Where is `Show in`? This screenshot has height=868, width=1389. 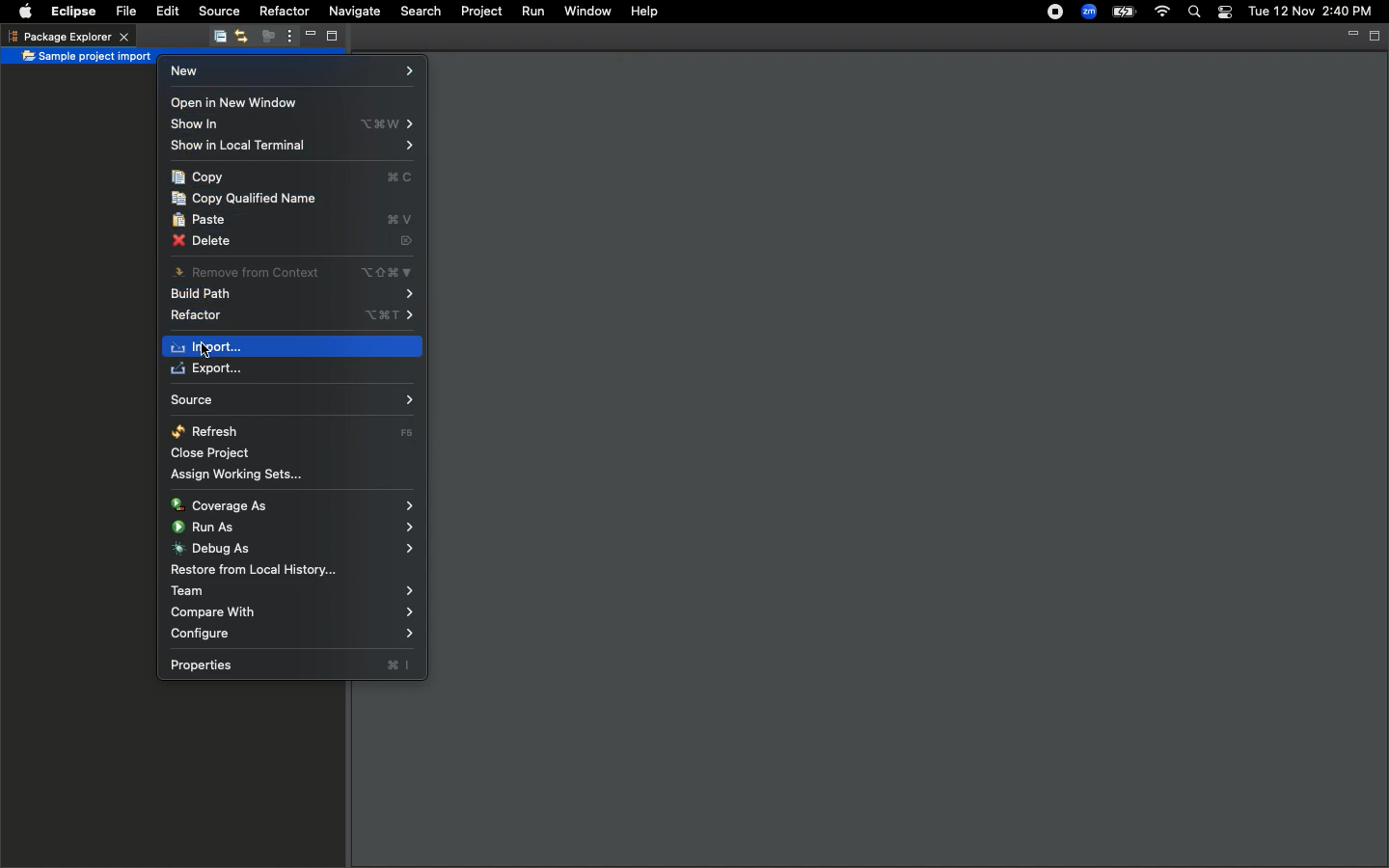
Show in is located at coordinates (295, 124).